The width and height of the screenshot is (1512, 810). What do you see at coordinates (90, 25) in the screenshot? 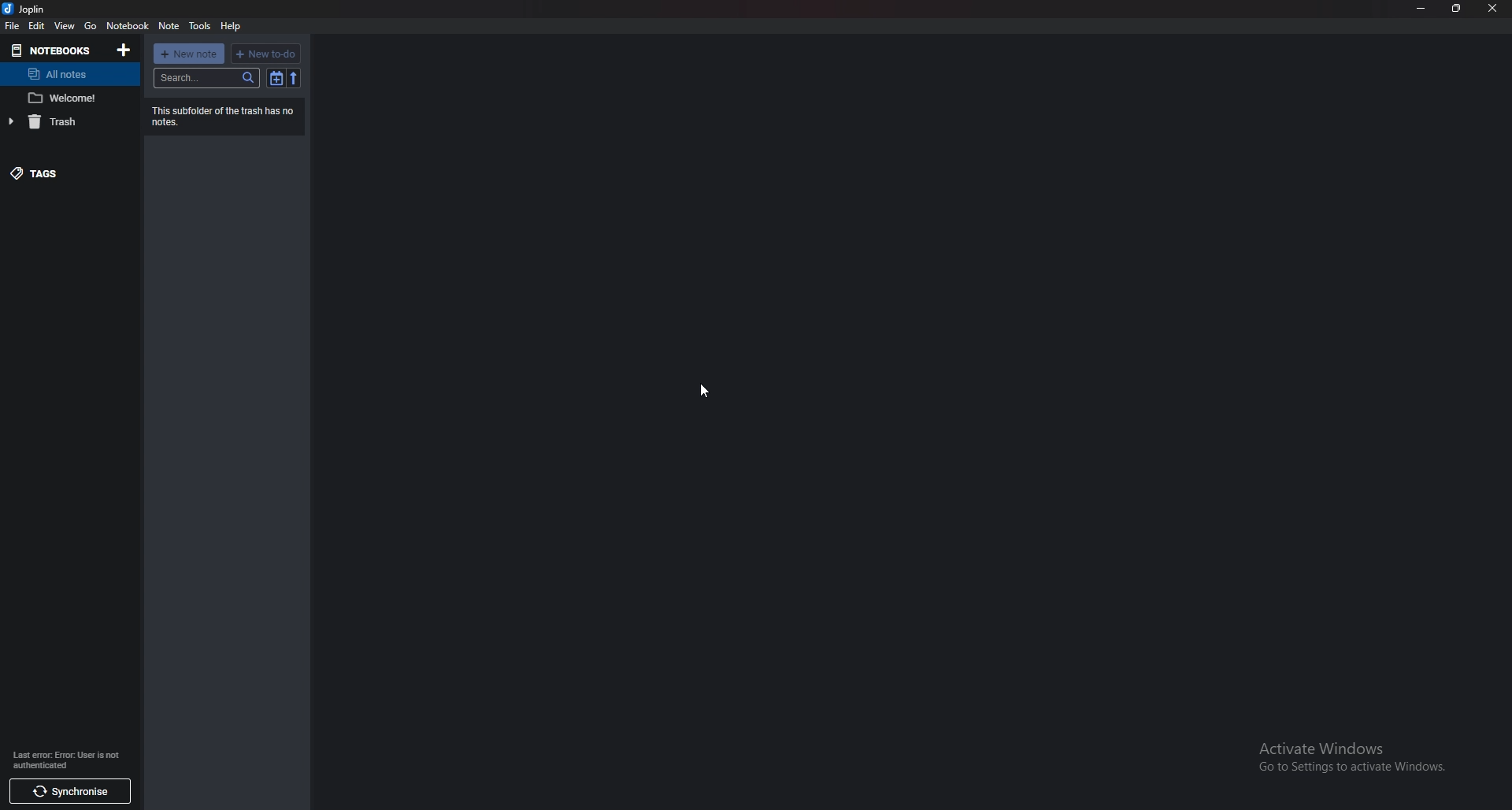
I see `Go` at bounding box center [90, 25].